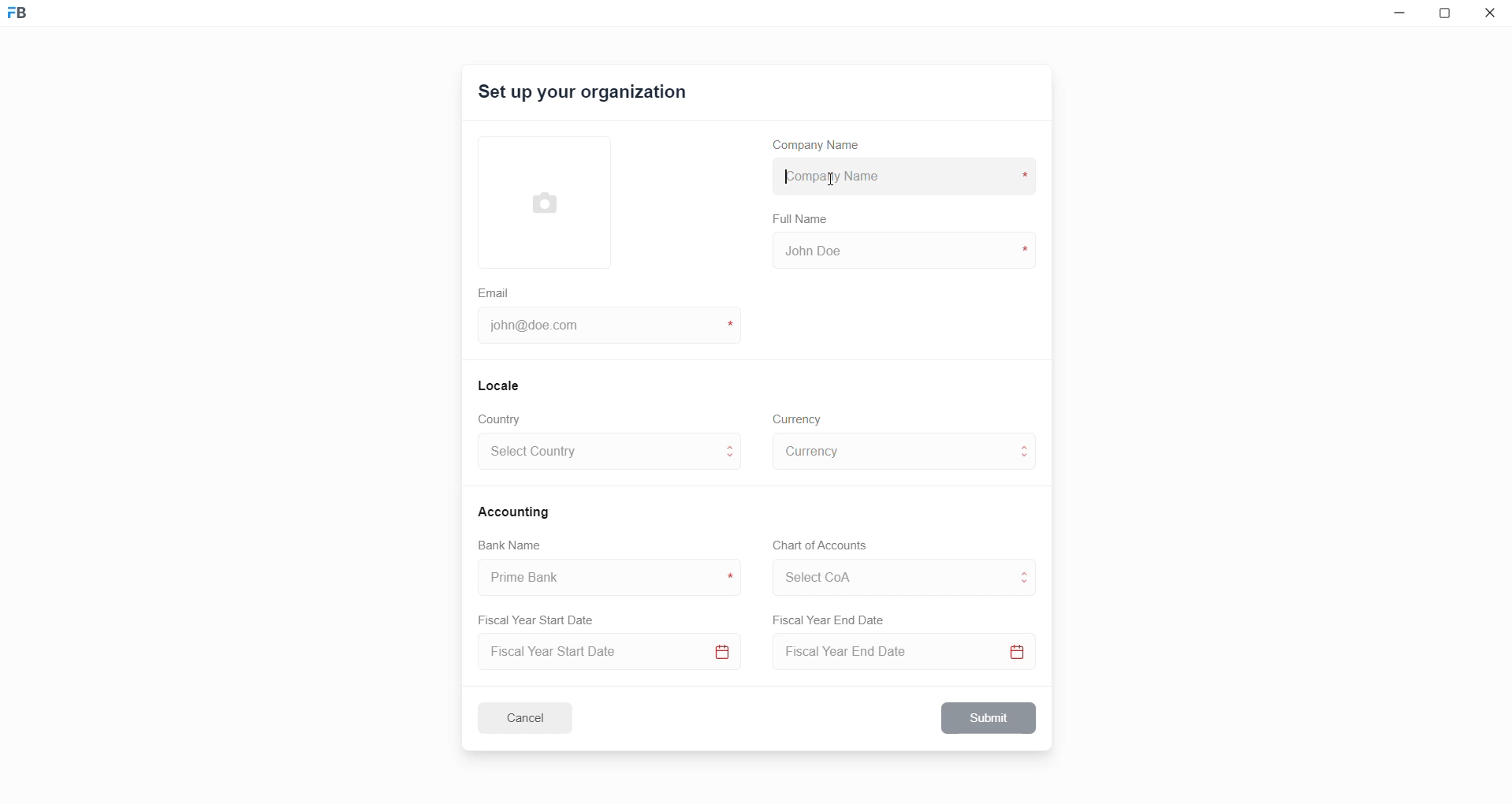 This screenshot has width=1512, height=804. What do you see at coordinates (900, 174) in the screenshot?
I see `company name input box` at bounding box center [900, 174].